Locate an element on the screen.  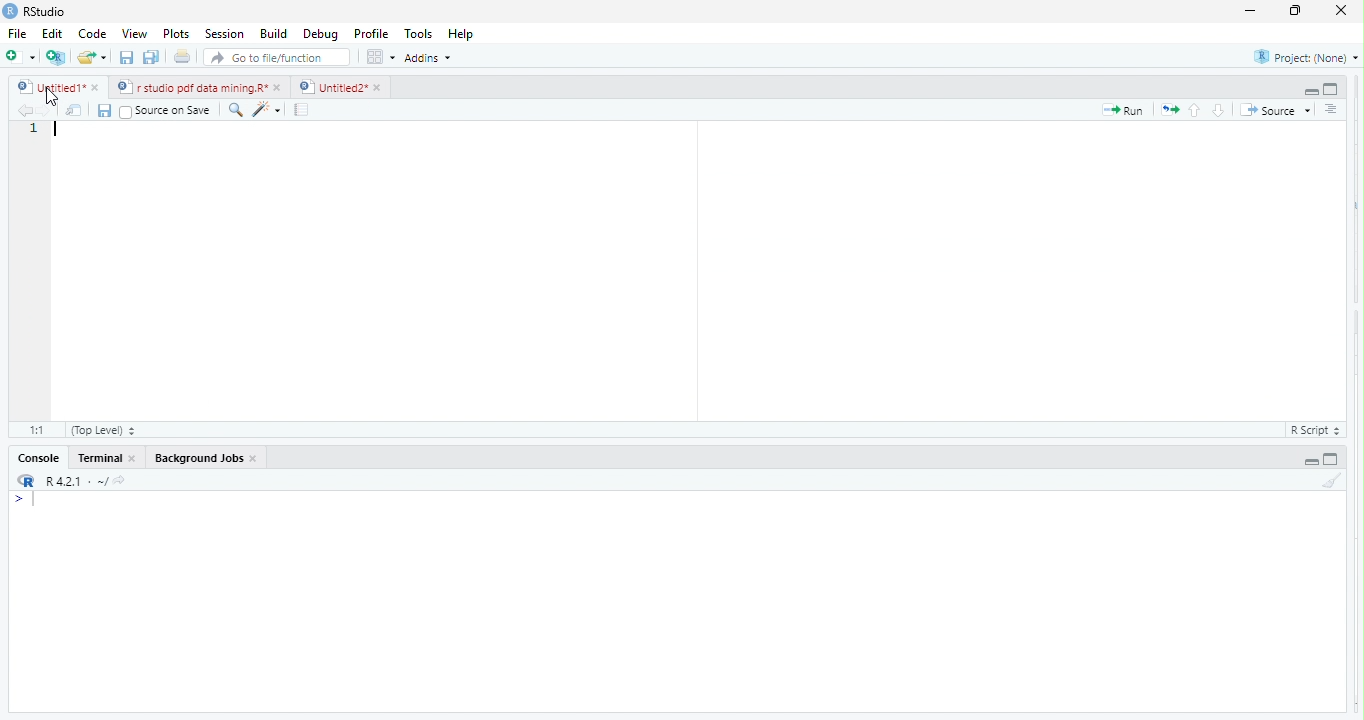
Background Jobs is located at coordinates (196, 456).